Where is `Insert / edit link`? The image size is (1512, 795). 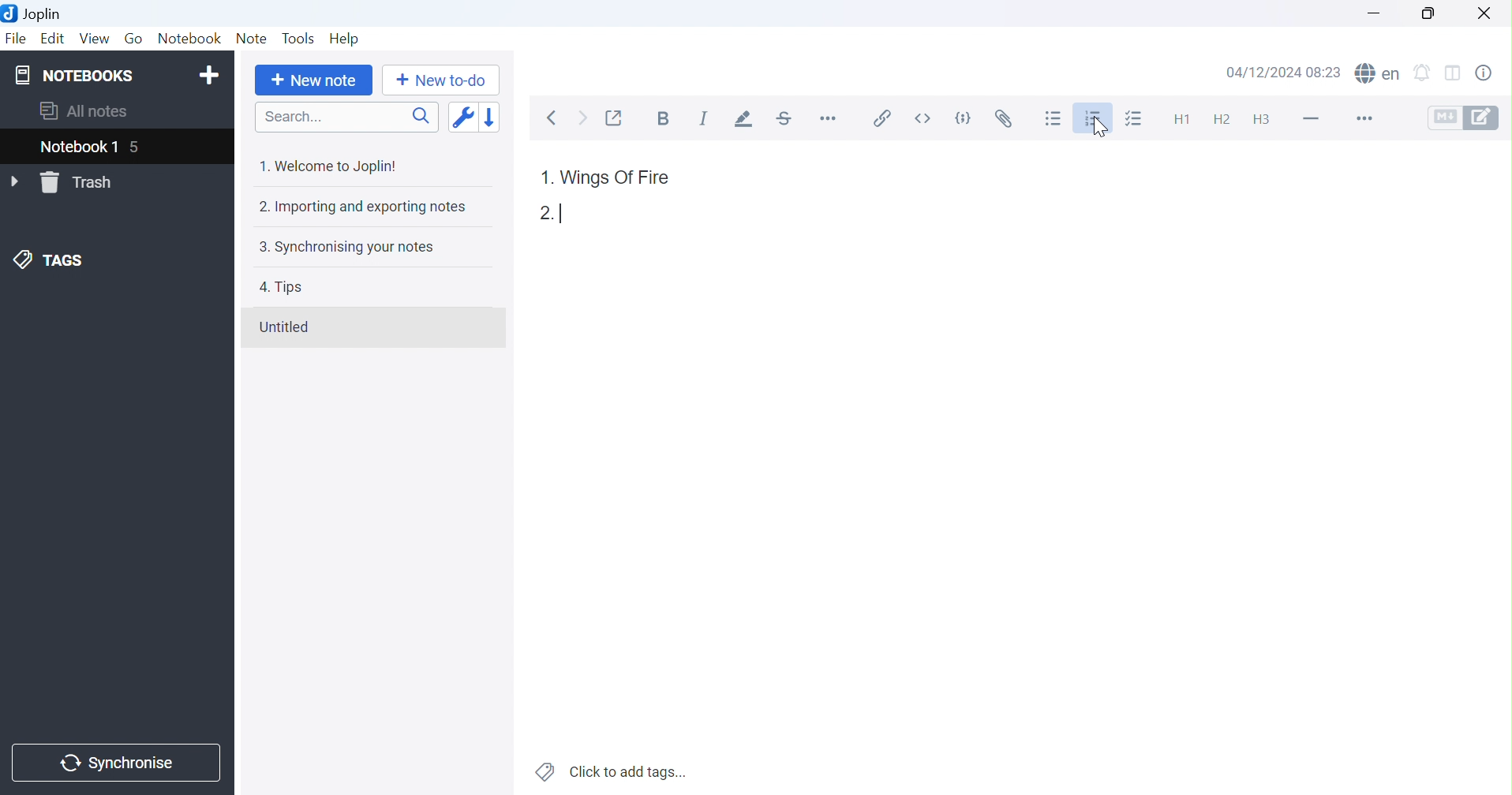 Insert / edit link is located at coordinates (881, 121).